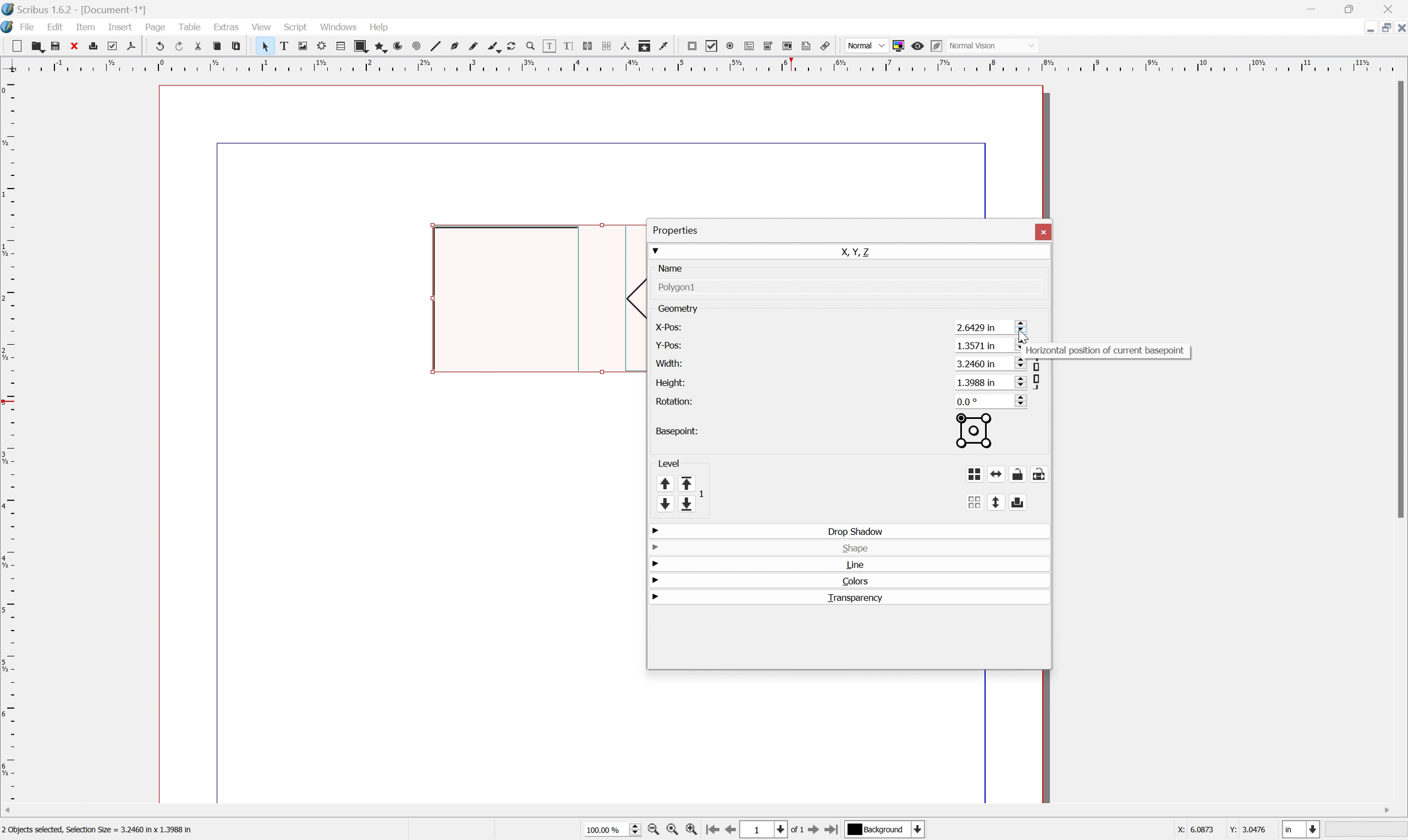  What do you see at coordinates (656, 545) in the screenshot?
I see `drop down` at bounding box center [656, 545].